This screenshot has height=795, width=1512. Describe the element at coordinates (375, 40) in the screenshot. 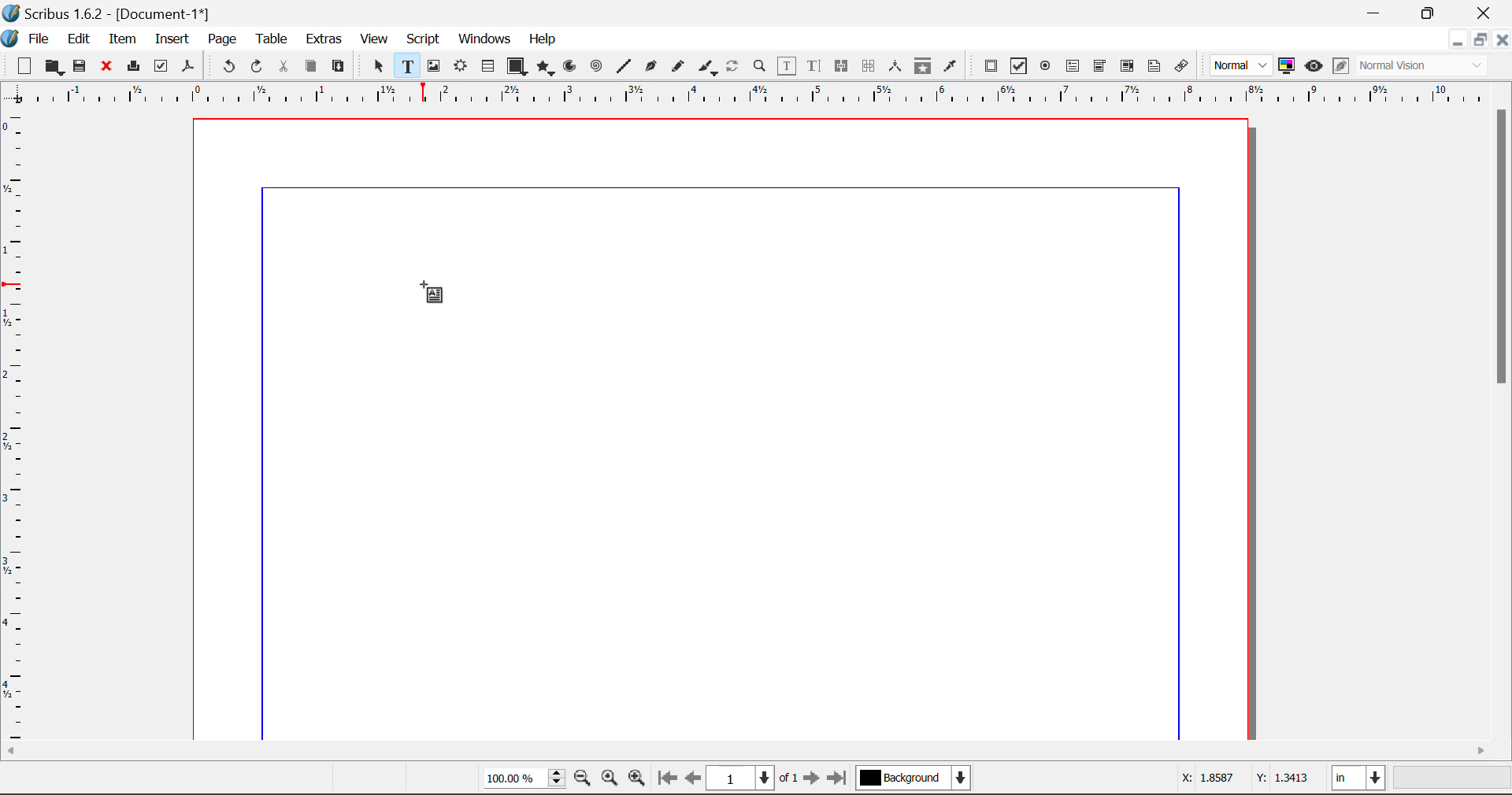

I see `View` at that location.